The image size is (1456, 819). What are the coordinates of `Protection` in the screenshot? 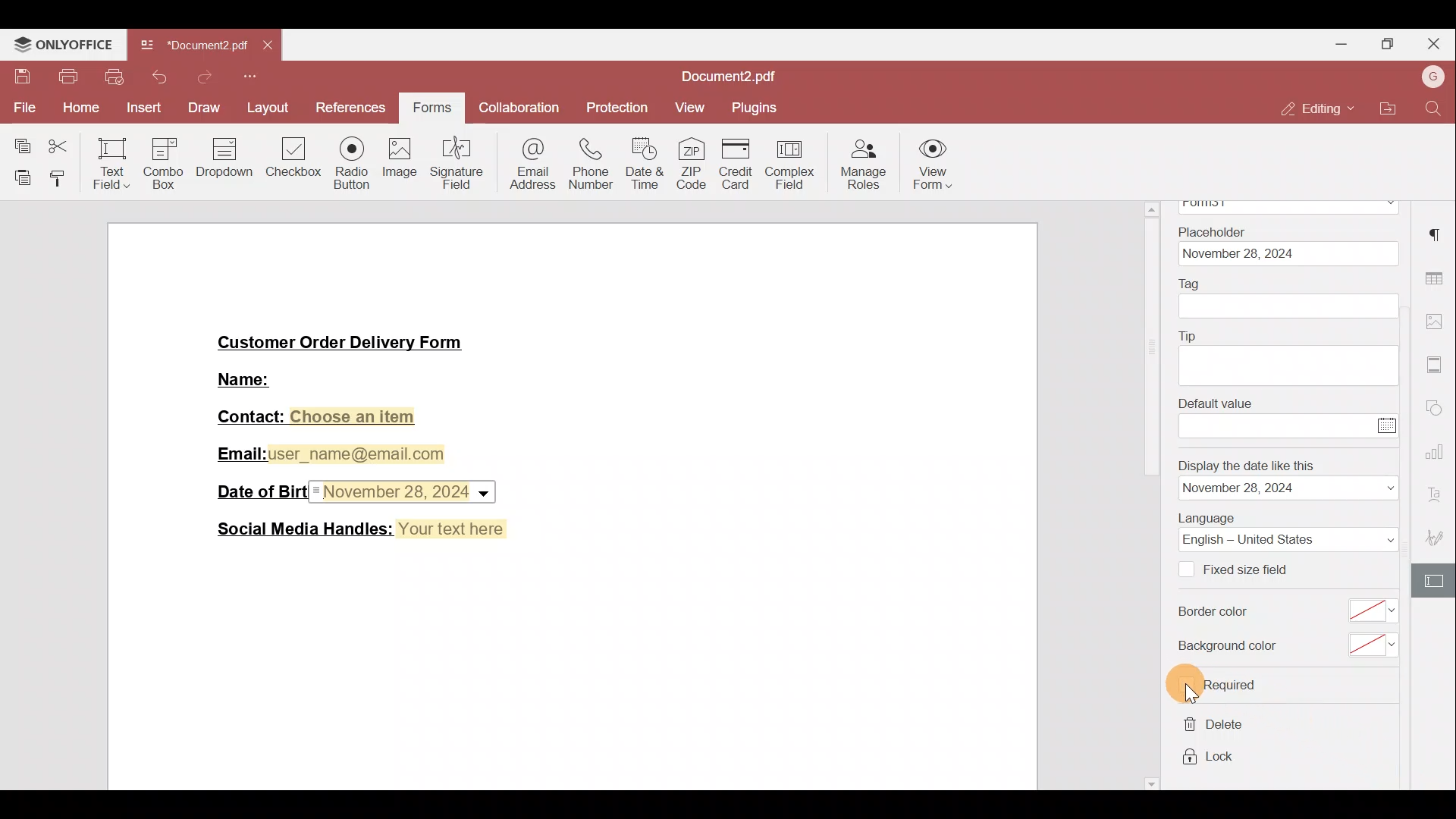 It's located at (622, 108).